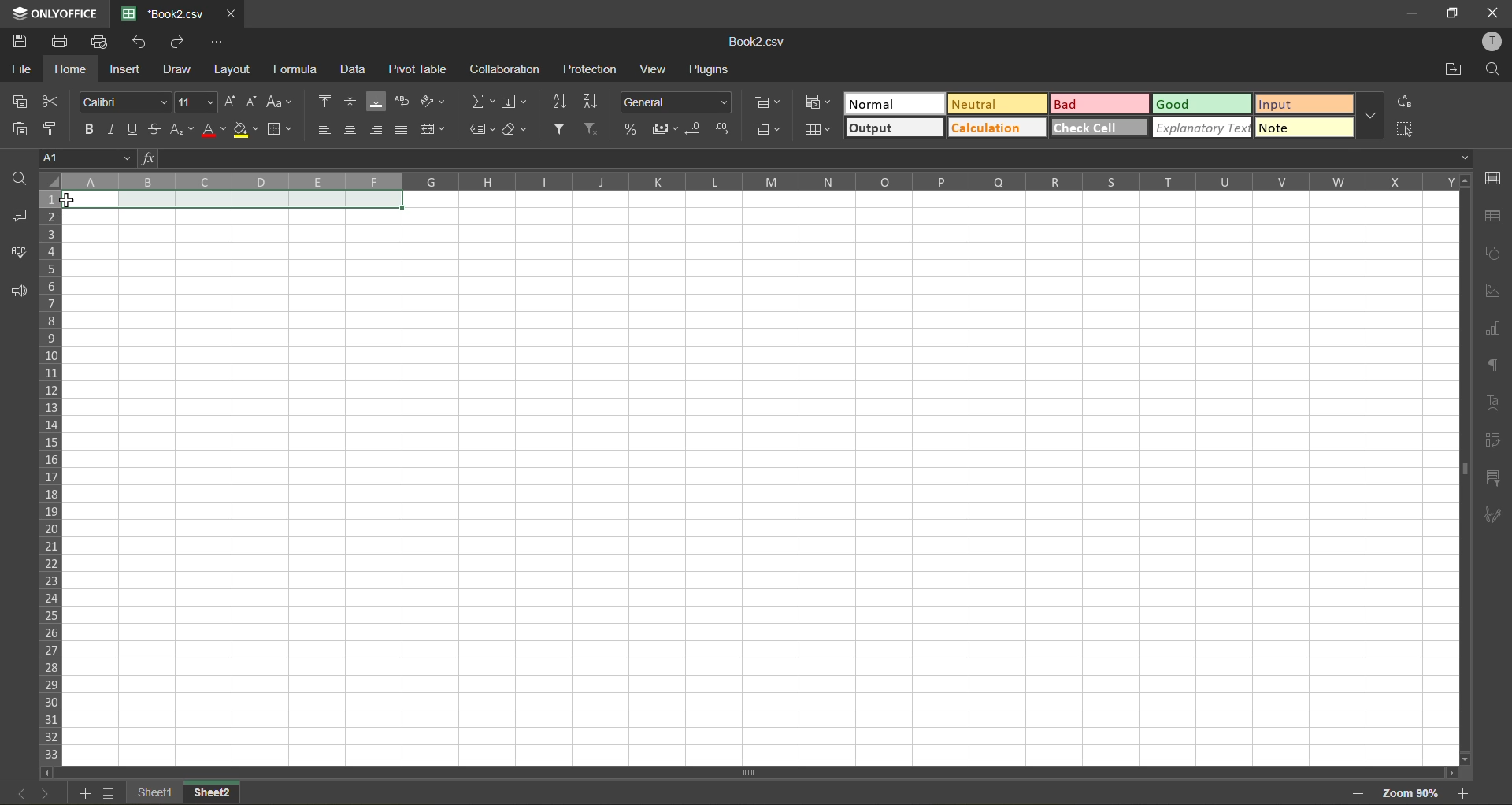 This screenshot has height=805, width=1512. What do you see at coordinates (998, 128) in the screenshot?
I see `calculation` at bounding box center [998, 128].